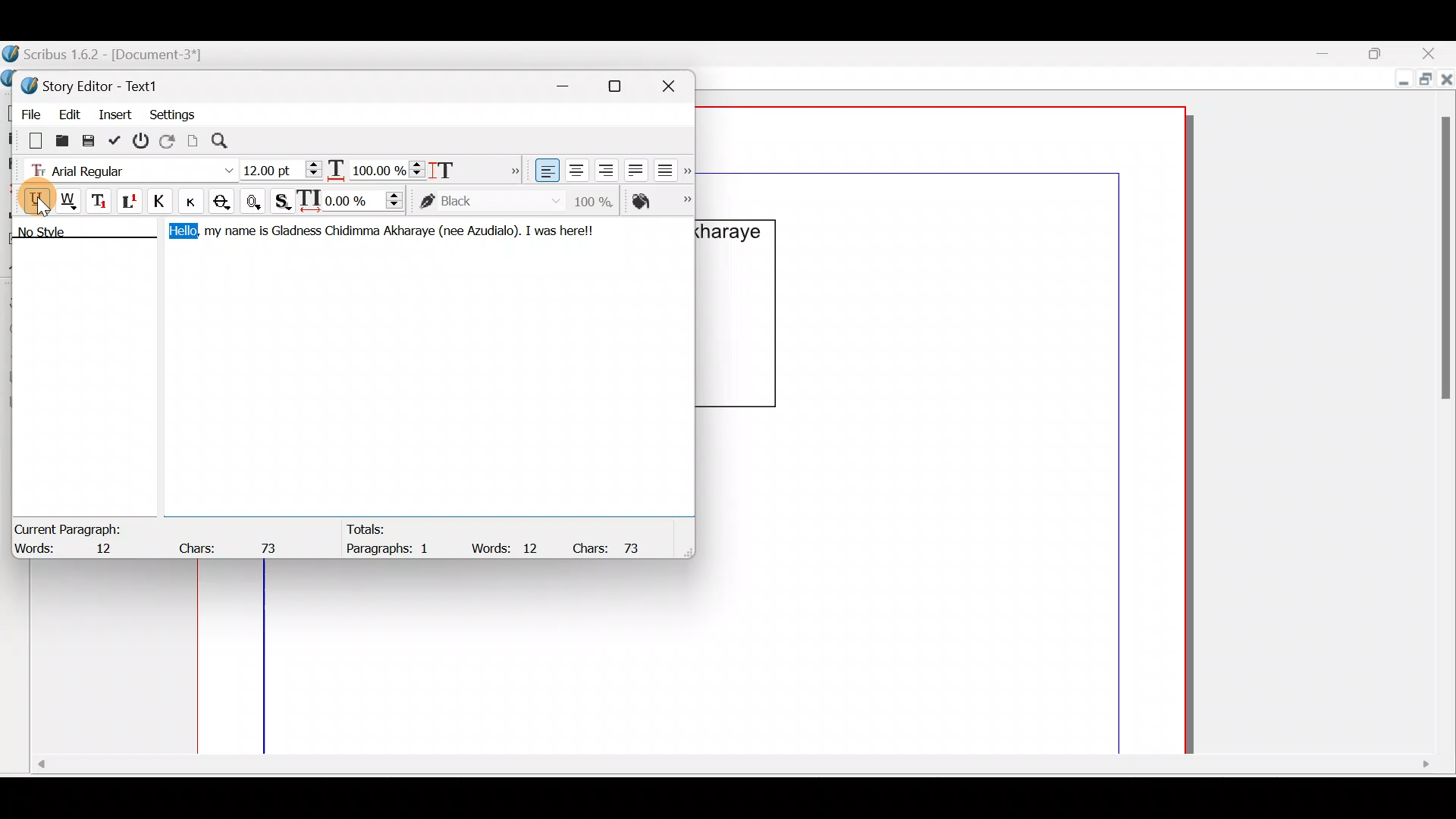  Describe the element at coordinates (196, 201) in the screenshot. I see `` at that location.